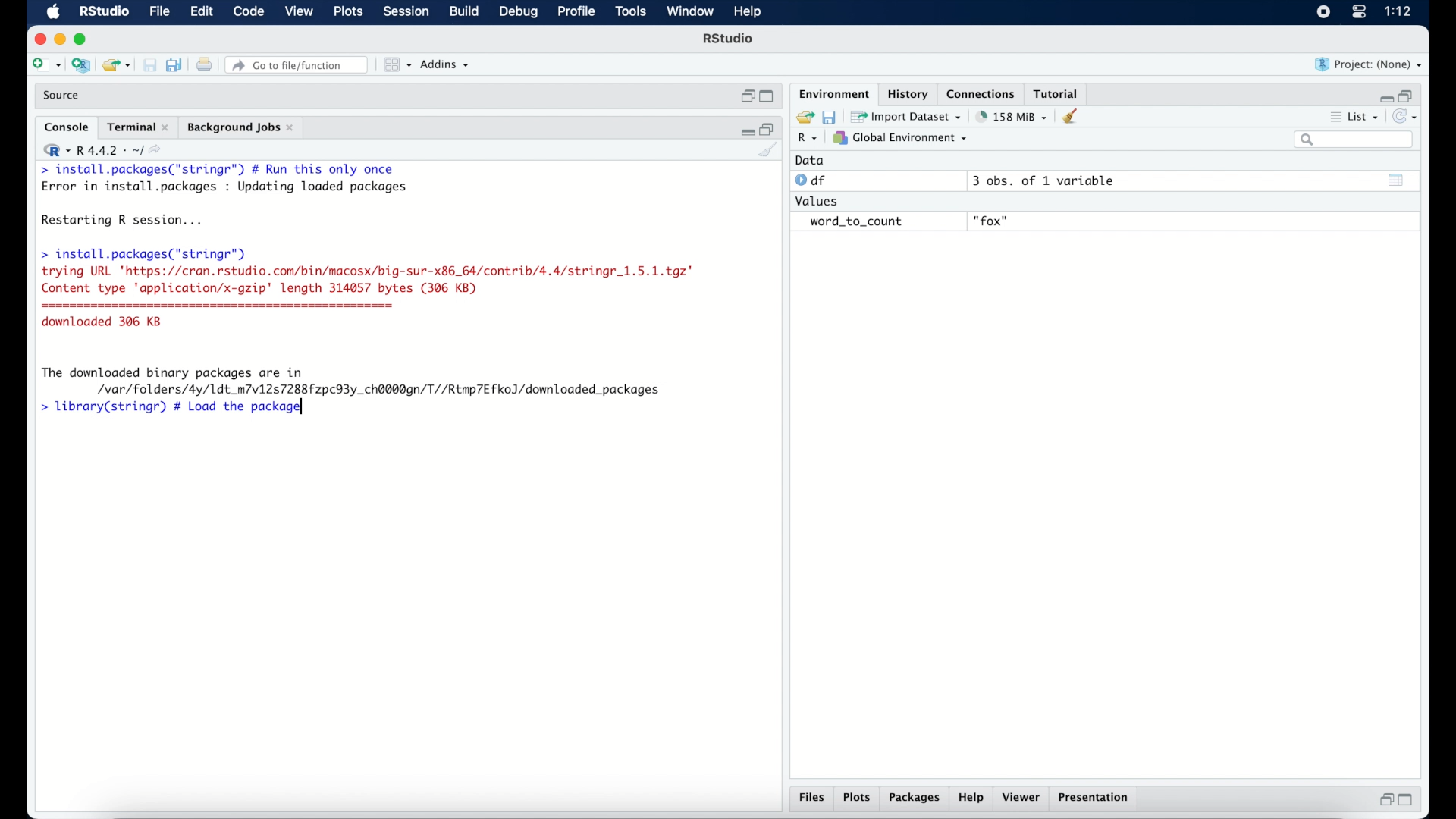 This screenshot has width=1456, height=819. What do you see at coordinates (690, 12) in the screenshot?
I see `window` at bounding box center [690, 12].